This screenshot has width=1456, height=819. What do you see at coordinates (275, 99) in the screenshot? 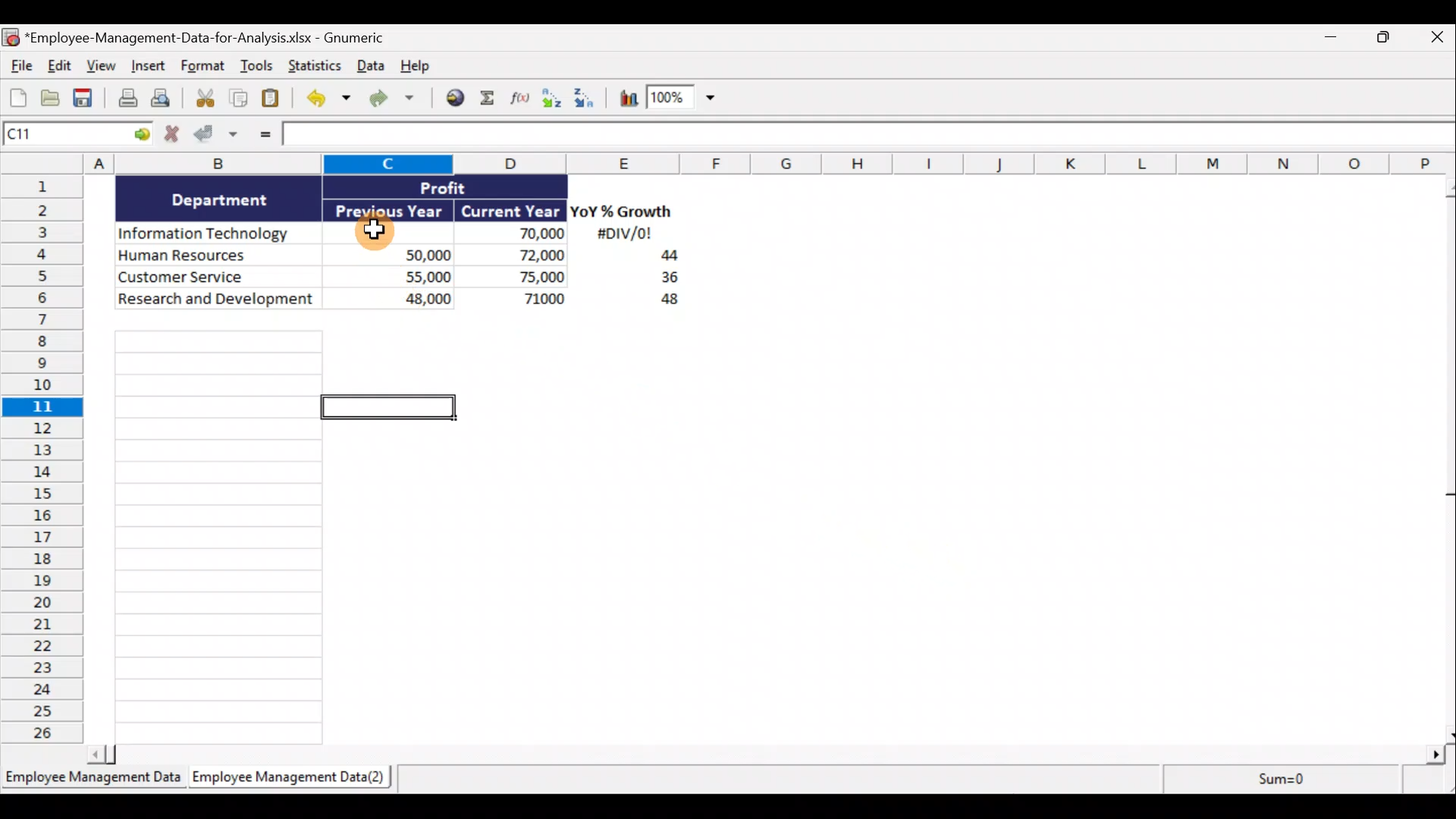
I see `Paste clipboard` at bounding box center [275, 99].